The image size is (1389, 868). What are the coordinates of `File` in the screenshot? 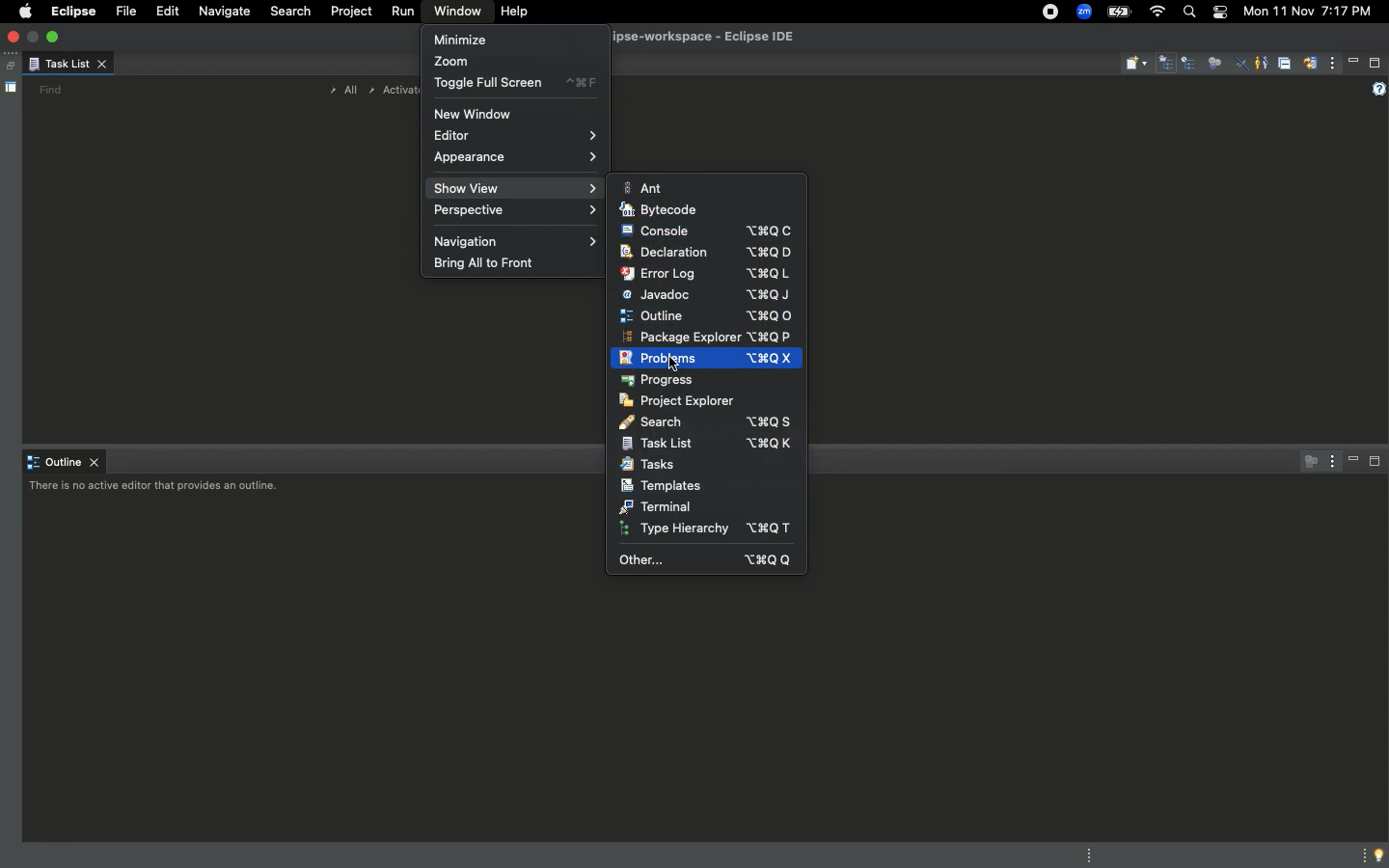 It's located at (123, 13).